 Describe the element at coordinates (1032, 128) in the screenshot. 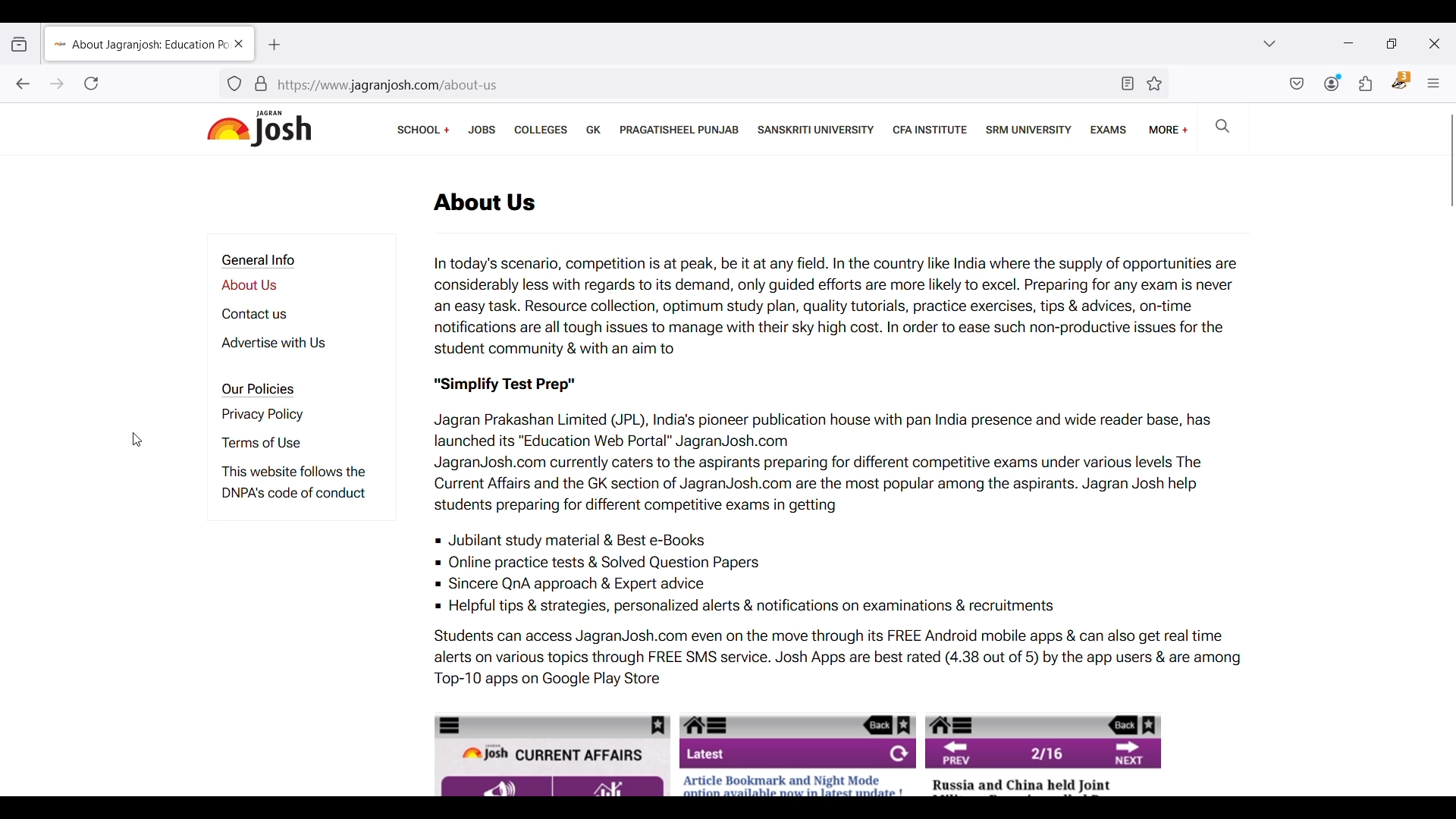

I see `SRM university page` at that location.